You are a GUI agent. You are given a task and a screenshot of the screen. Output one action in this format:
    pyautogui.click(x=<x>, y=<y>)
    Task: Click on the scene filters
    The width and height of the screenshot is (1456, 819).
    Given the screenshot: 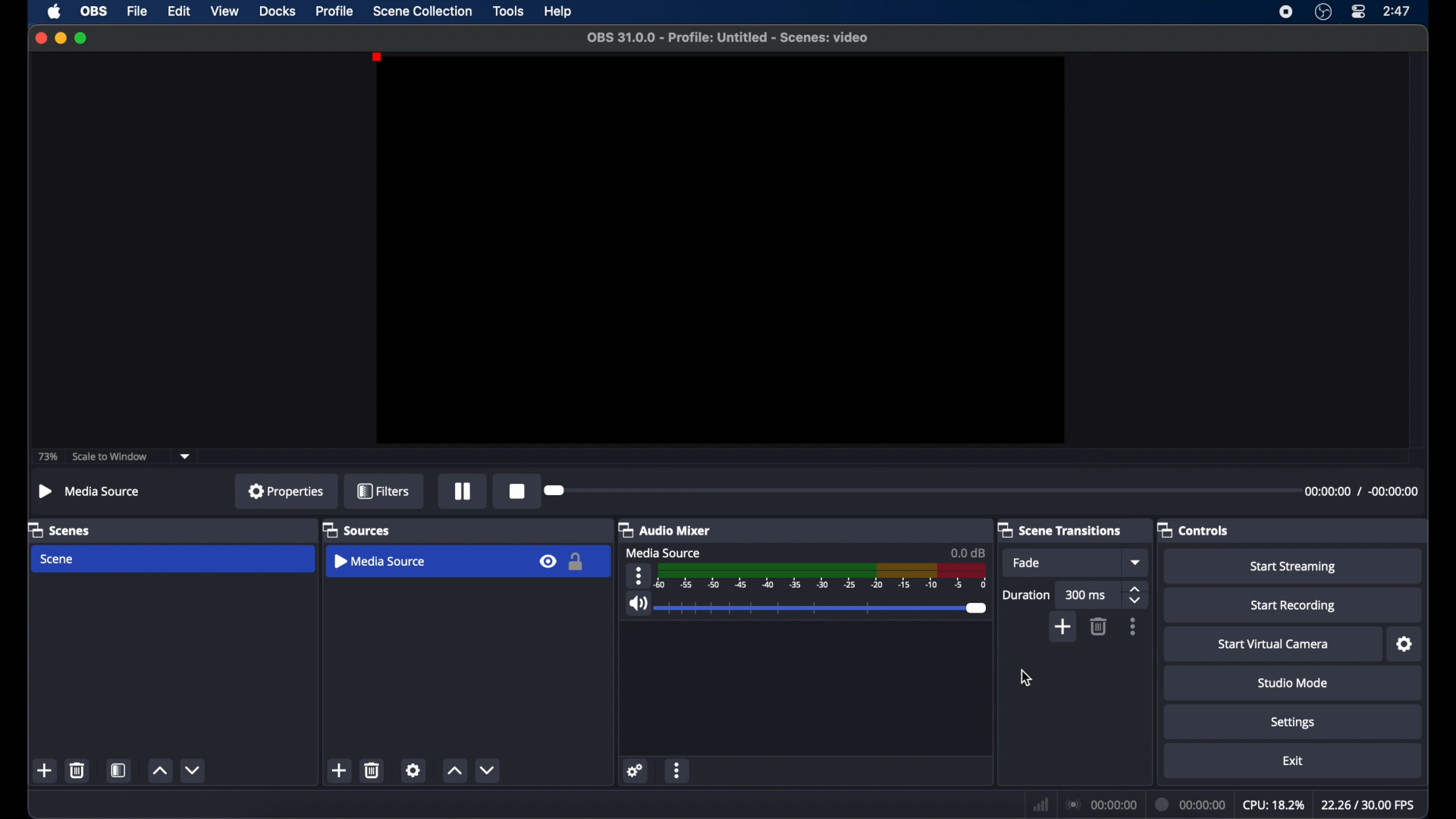 What is the action you would take?
    pyautogui.click(x=119, y=770)
    